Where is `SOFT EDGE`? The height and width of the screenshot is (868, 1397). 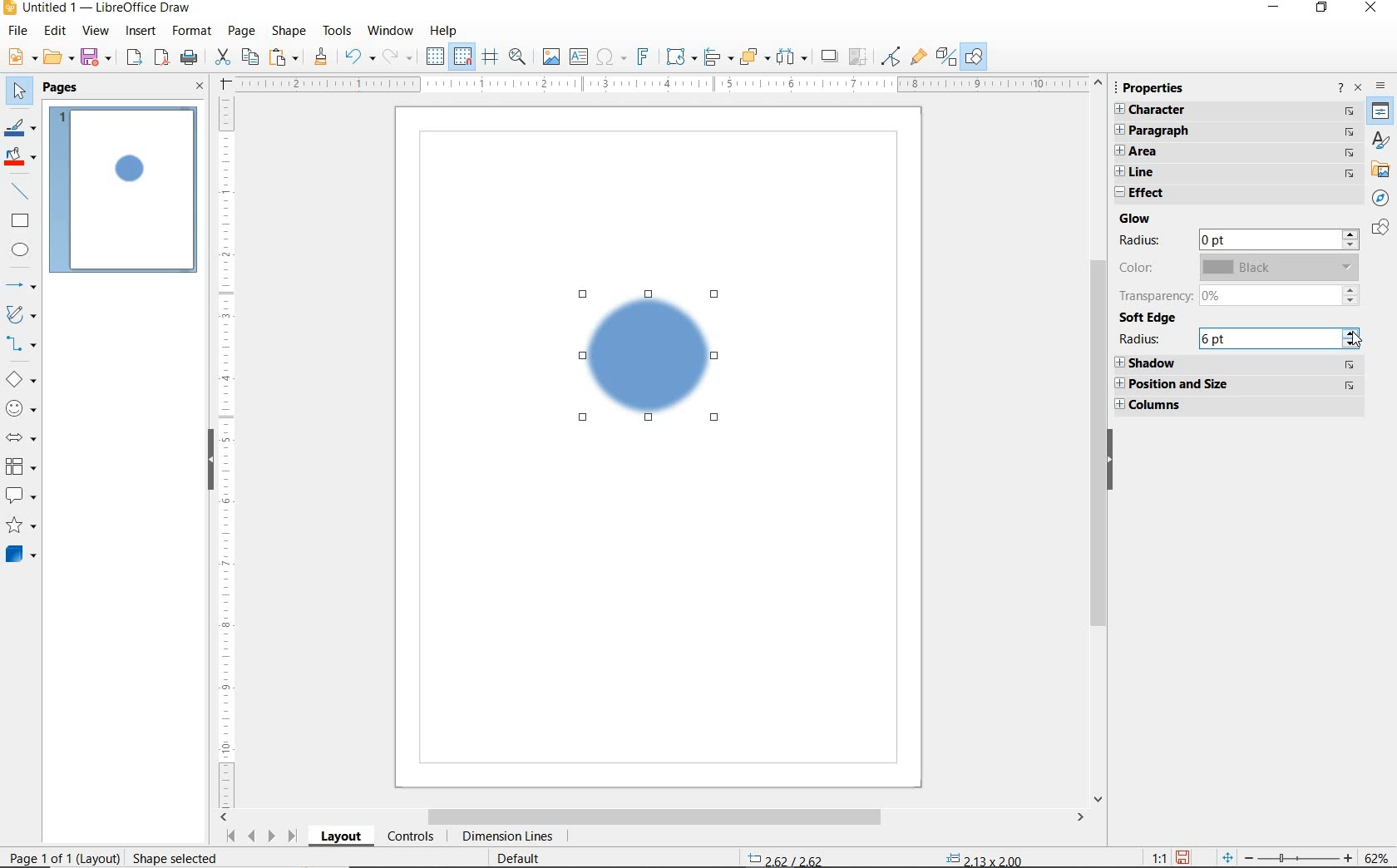
SOFT EDGE is located at coordinates (1148, 318).